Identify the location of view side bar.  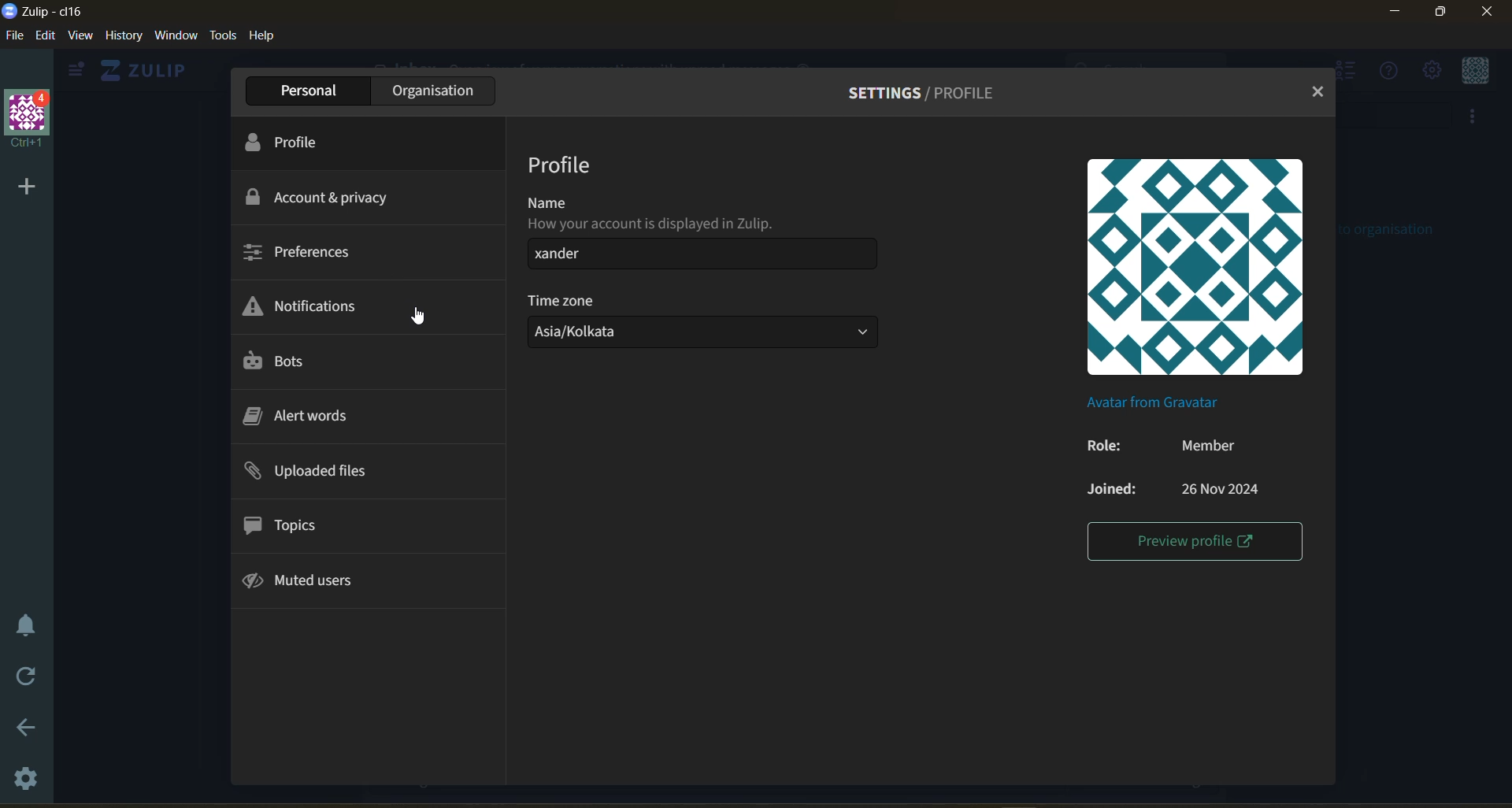
(79, 71).